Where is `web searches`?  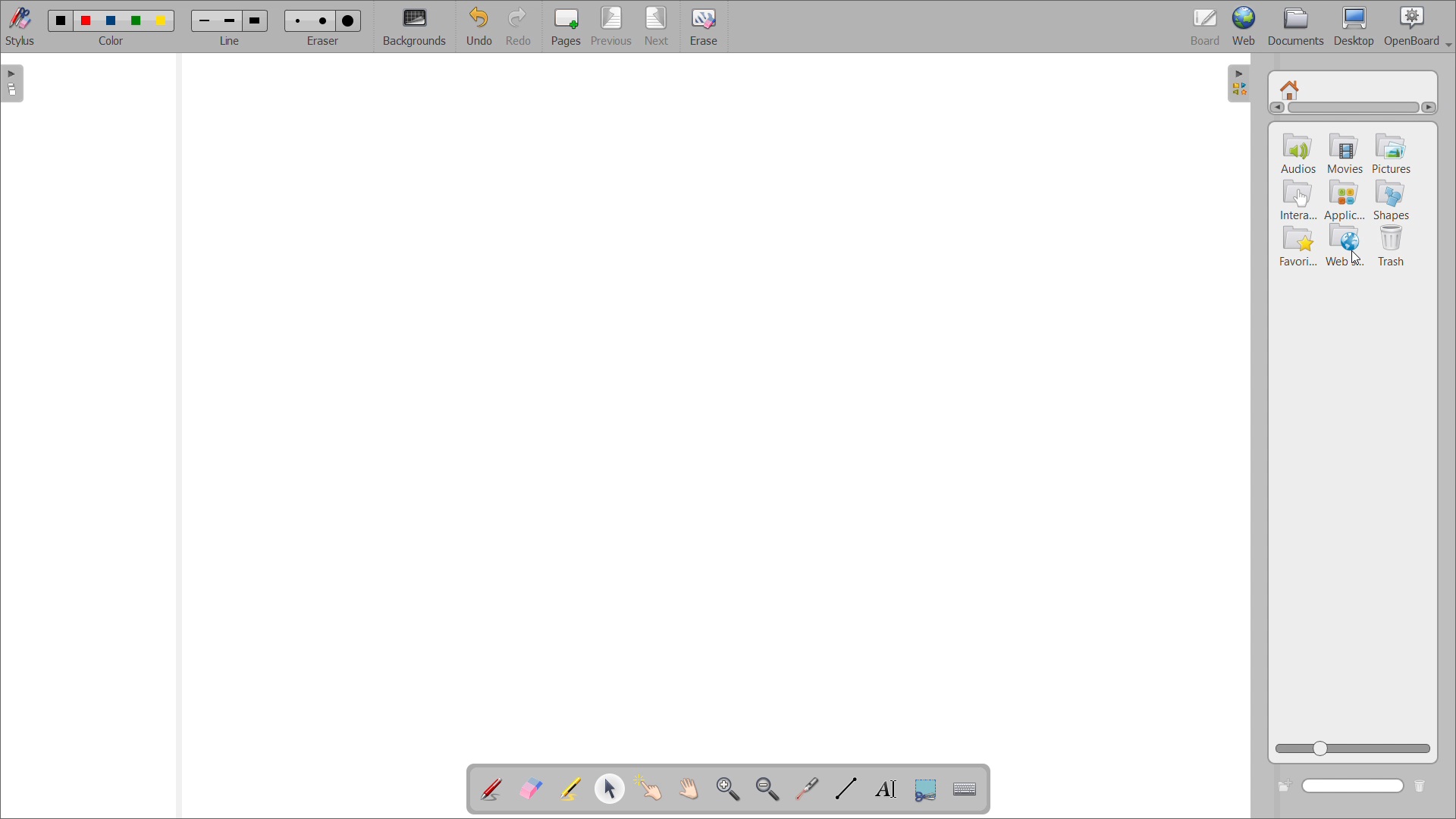
web searches is located at coordinates (1348, 246).